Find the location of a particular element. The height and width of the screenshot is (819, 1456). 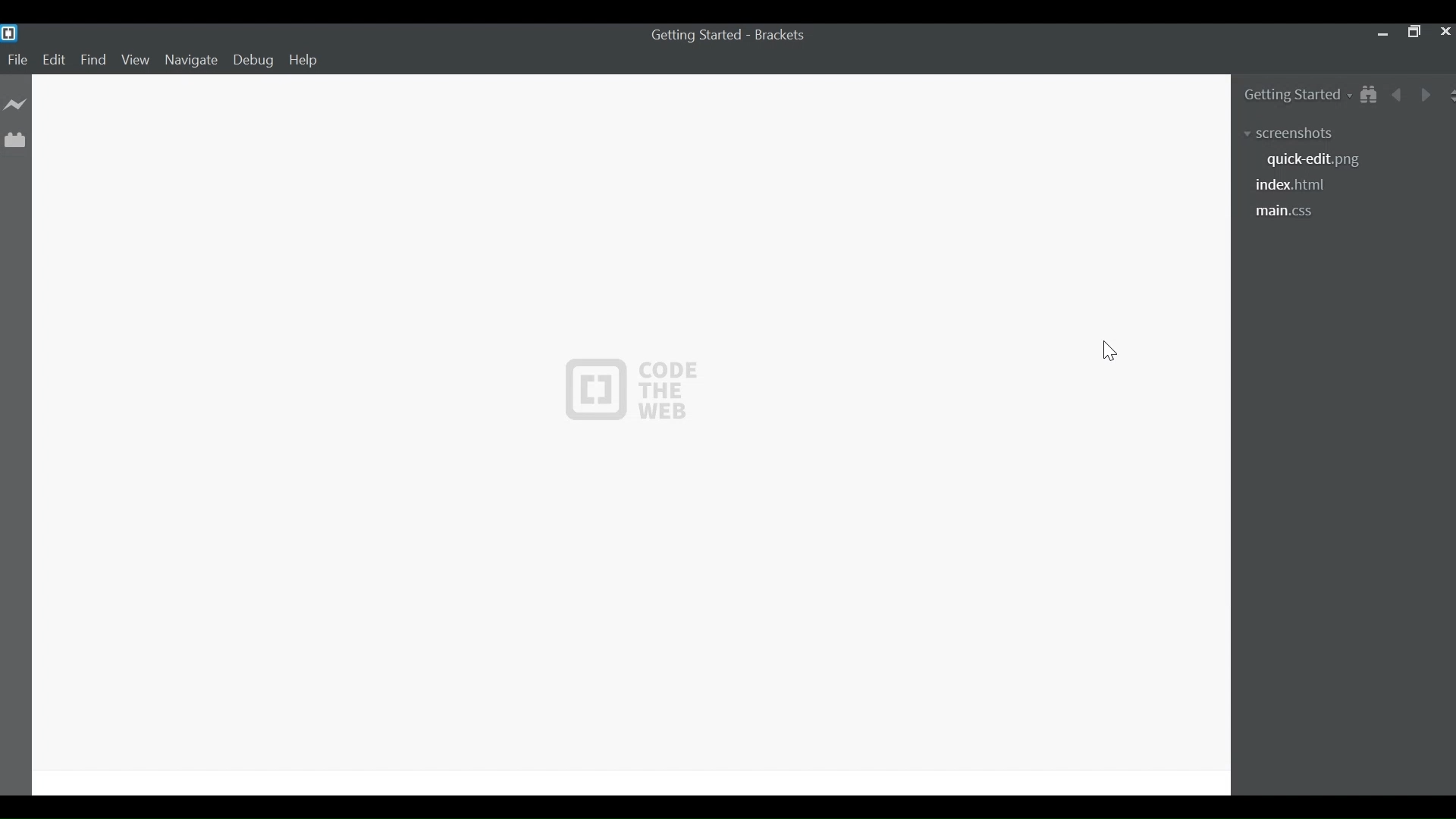

Split Editor Vertically or Horizontally is located at coordinates (1447, 94).